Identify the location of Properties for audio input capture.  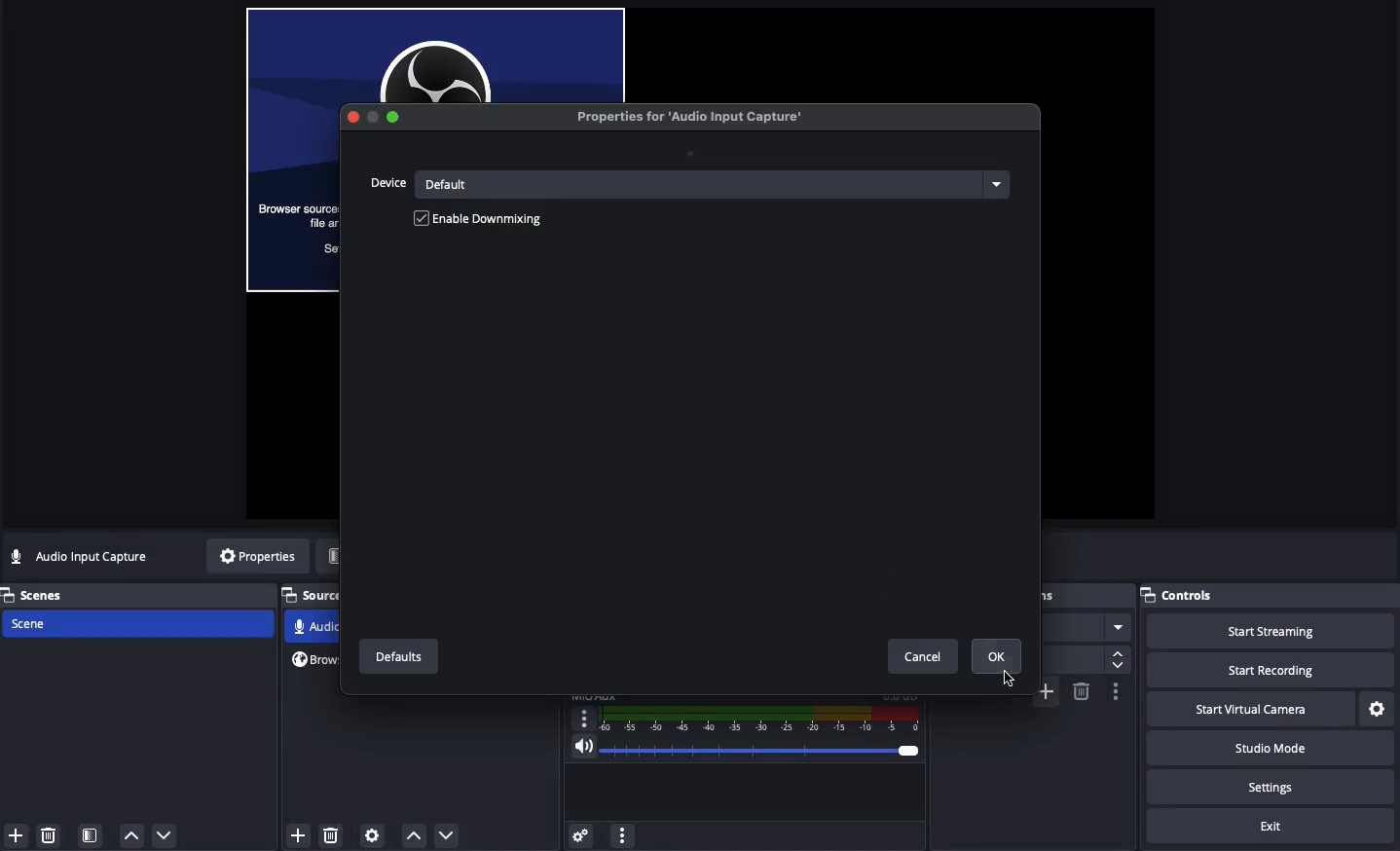
(691, 116).